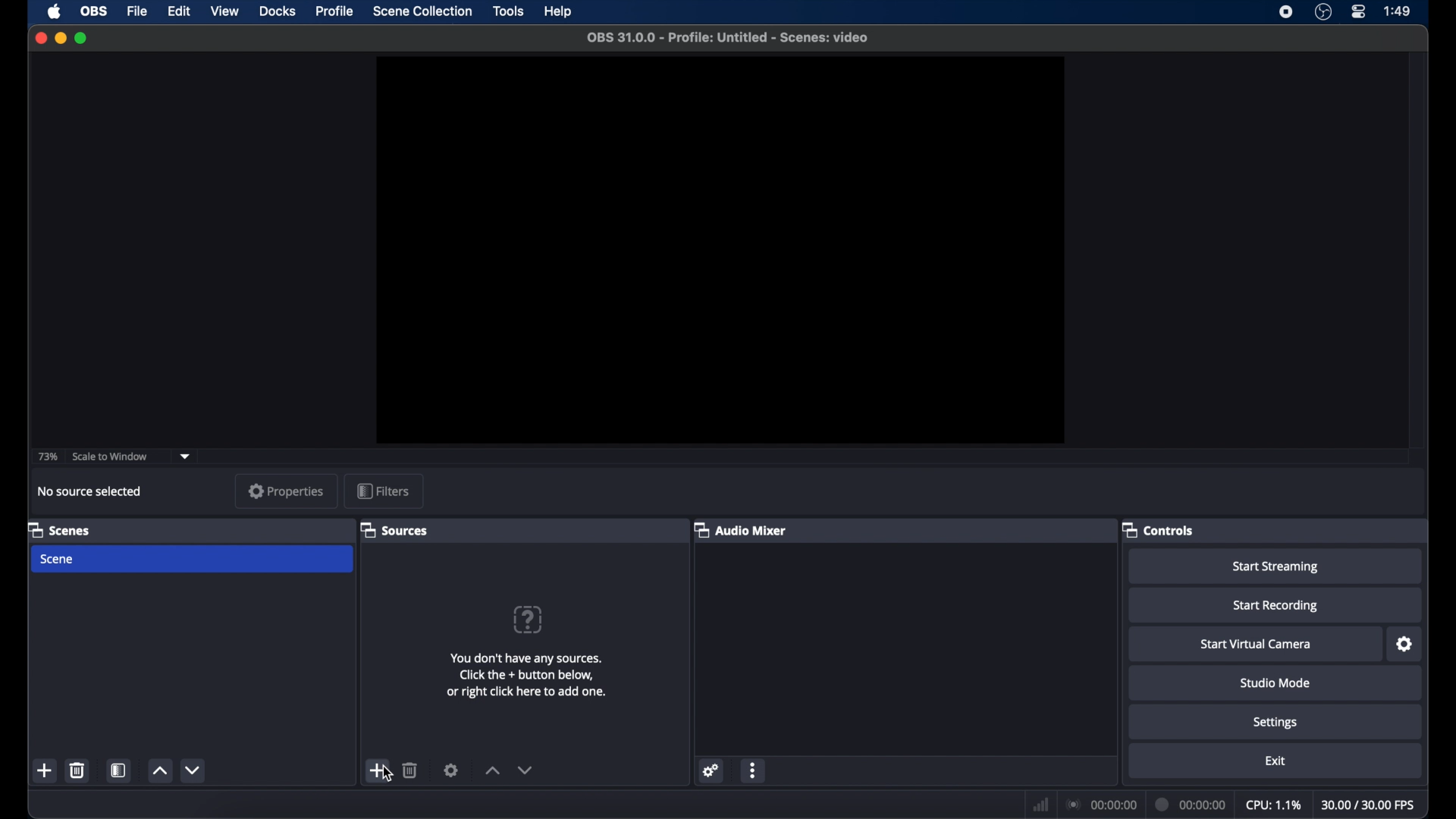  What do you see at coordinates (224, 11) in the screenshot?
I see `view` at bounding box center [224, 11].